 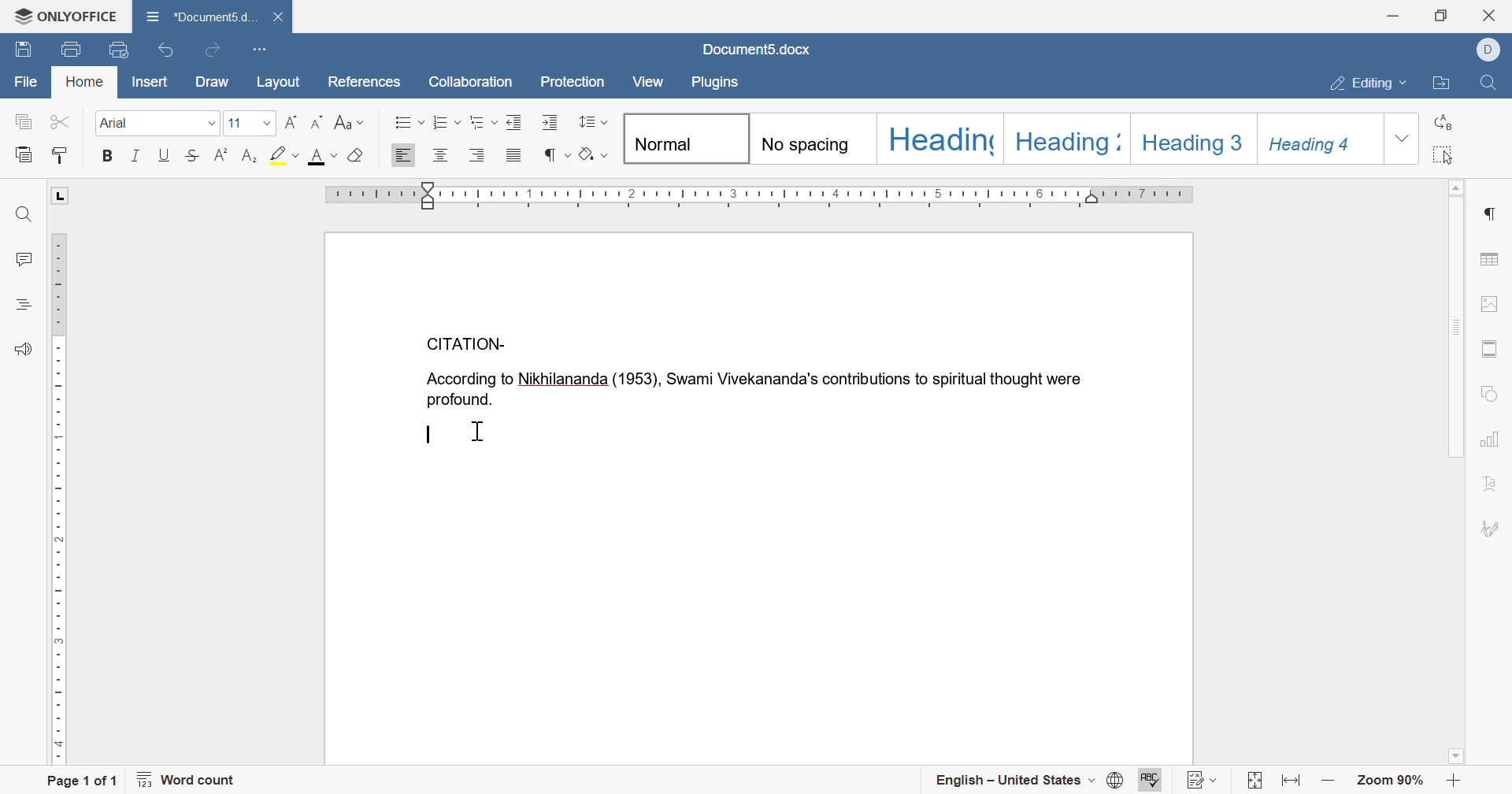 I want to click on typing cursor, so click(x=432, y=435).